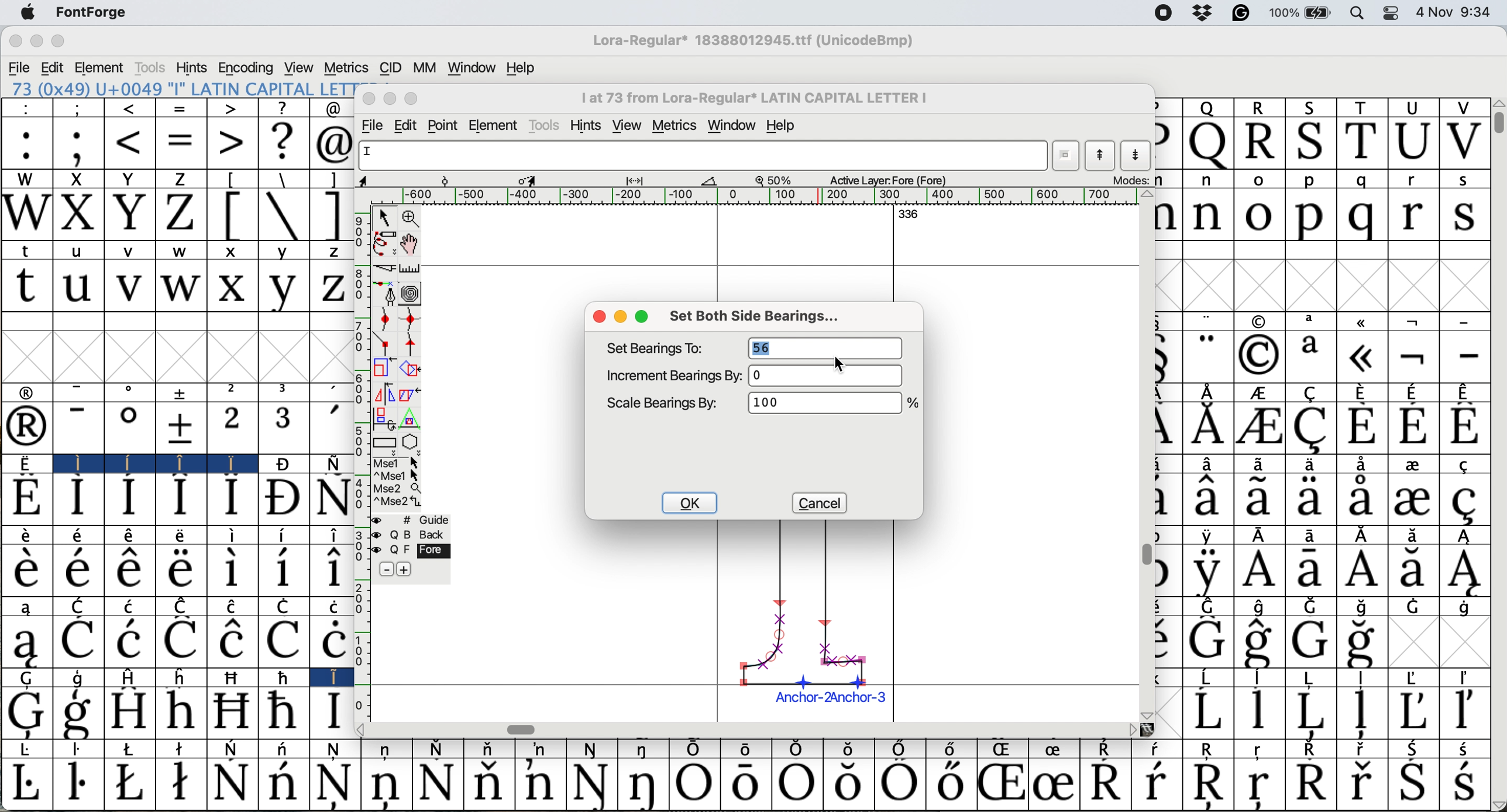 The image size is (1507, 812). What do you see at coordinates (29, 785) in the screenshot?
I see `Symbol` at bounding box center [29, 785].